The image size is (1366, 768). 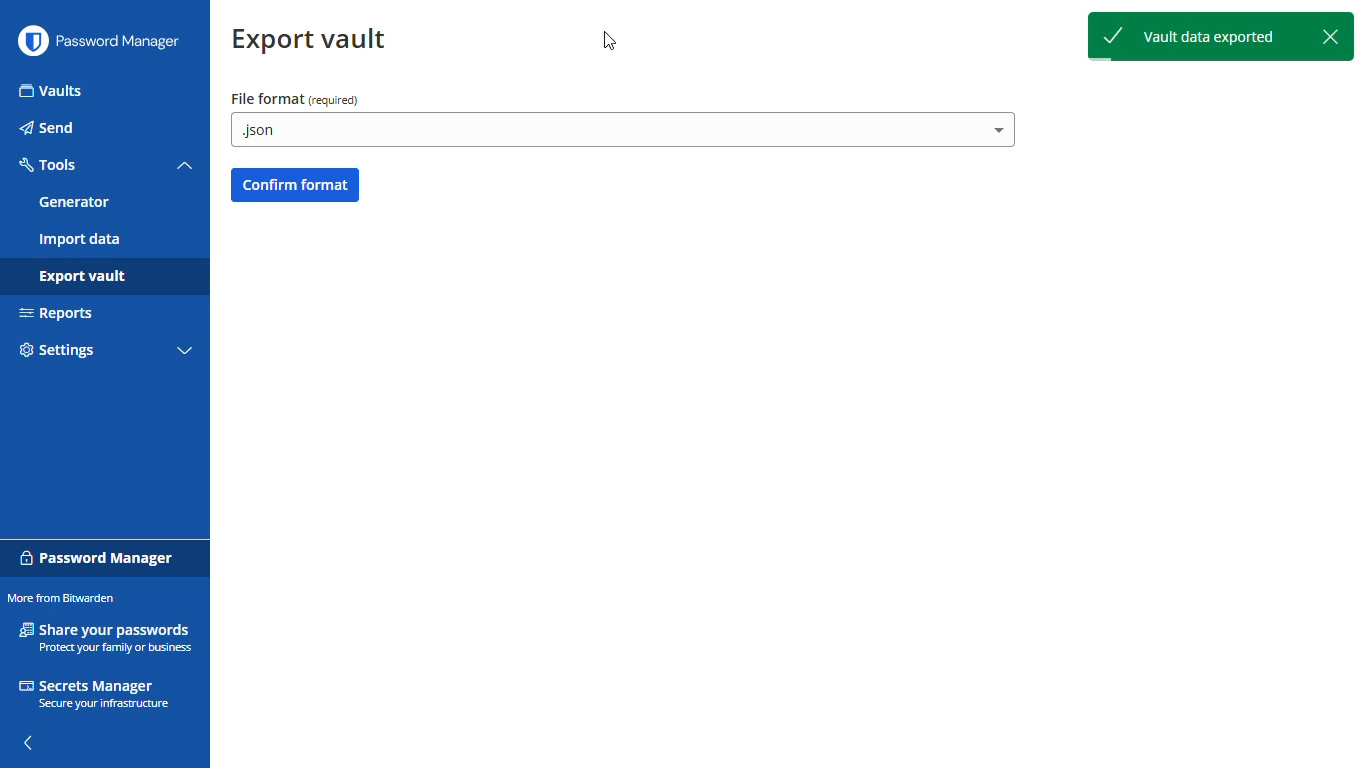 What do you see at coordinates (58, 314) in the screenshot?
I see `reports` at bounding box center [58, 314].